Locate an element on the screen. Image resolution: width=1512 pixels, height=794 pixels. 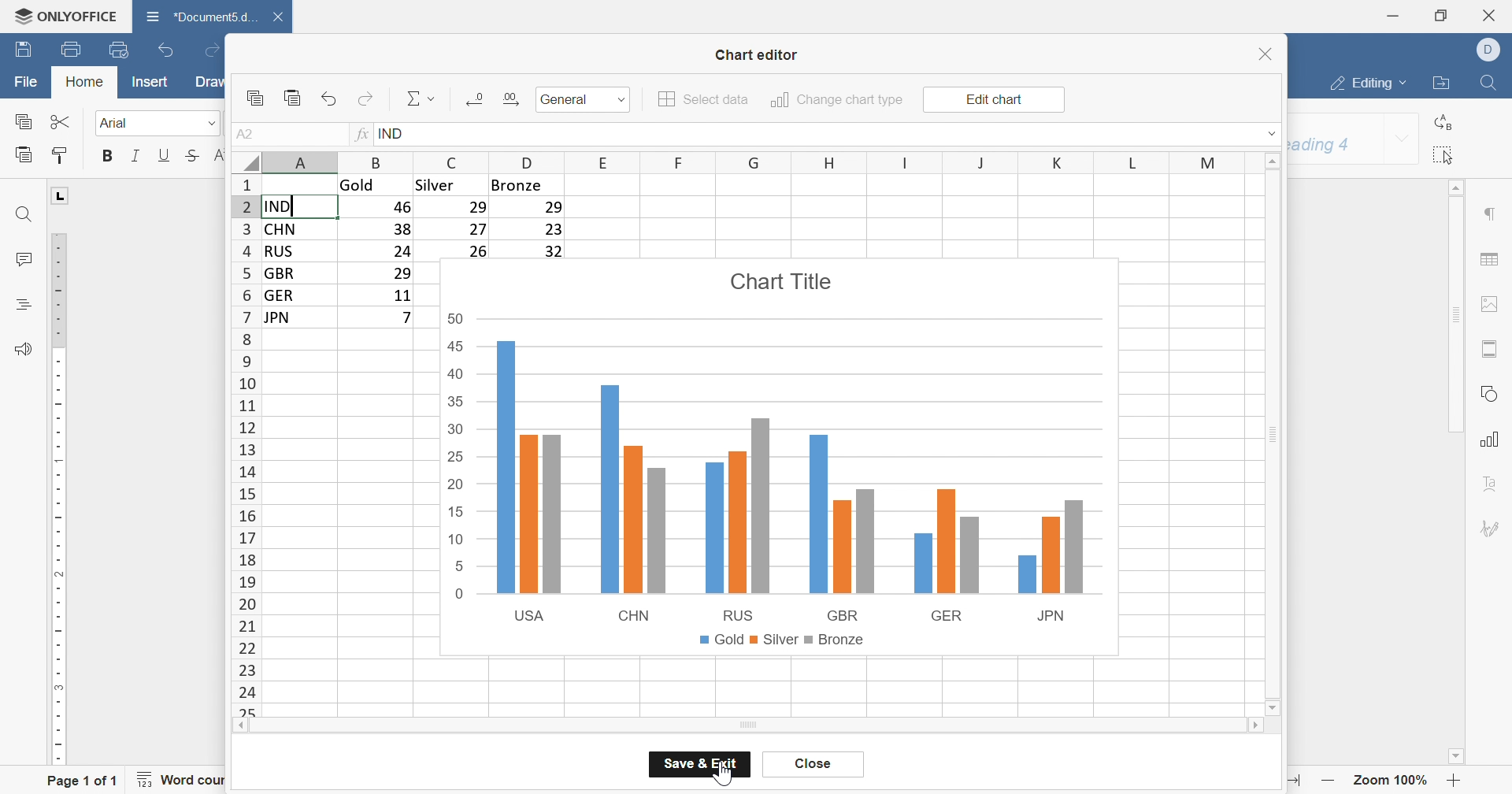
scroll bar is located at coordinates (1455, 307).